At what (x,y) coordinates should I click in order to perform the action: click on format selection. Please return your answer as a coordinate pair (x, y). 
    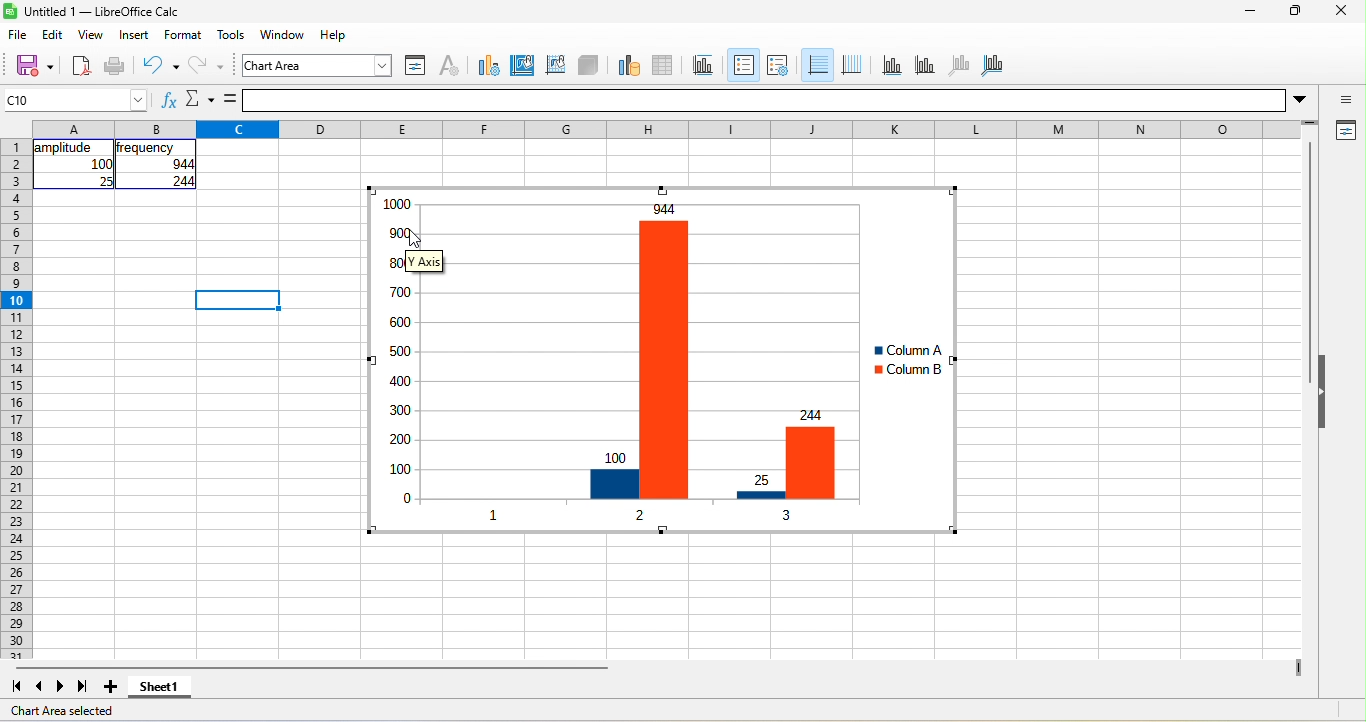
    Looking at the image, I should click on (413, 65).